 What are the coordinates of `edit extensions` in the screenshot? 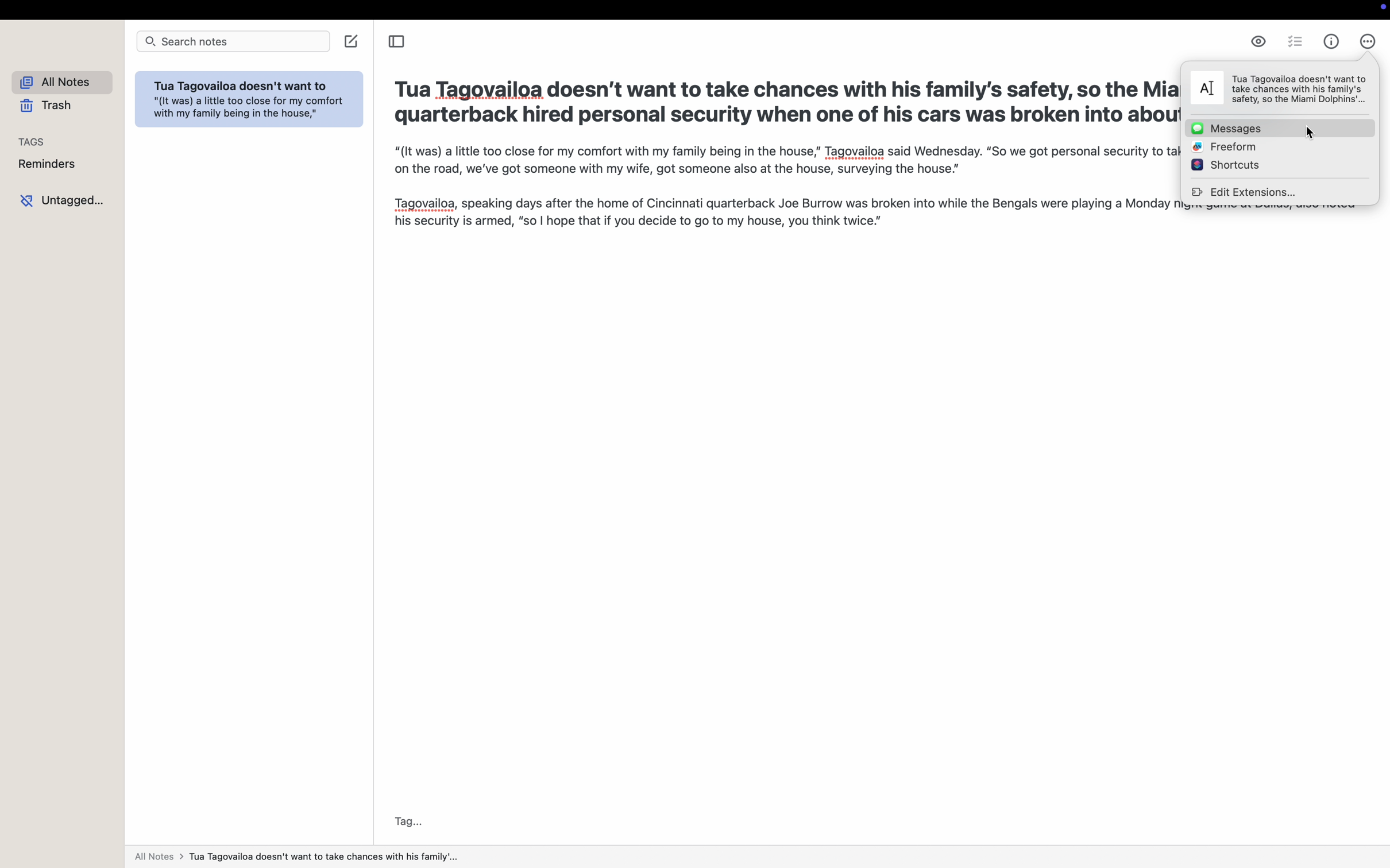 It's located at (1244, 193).